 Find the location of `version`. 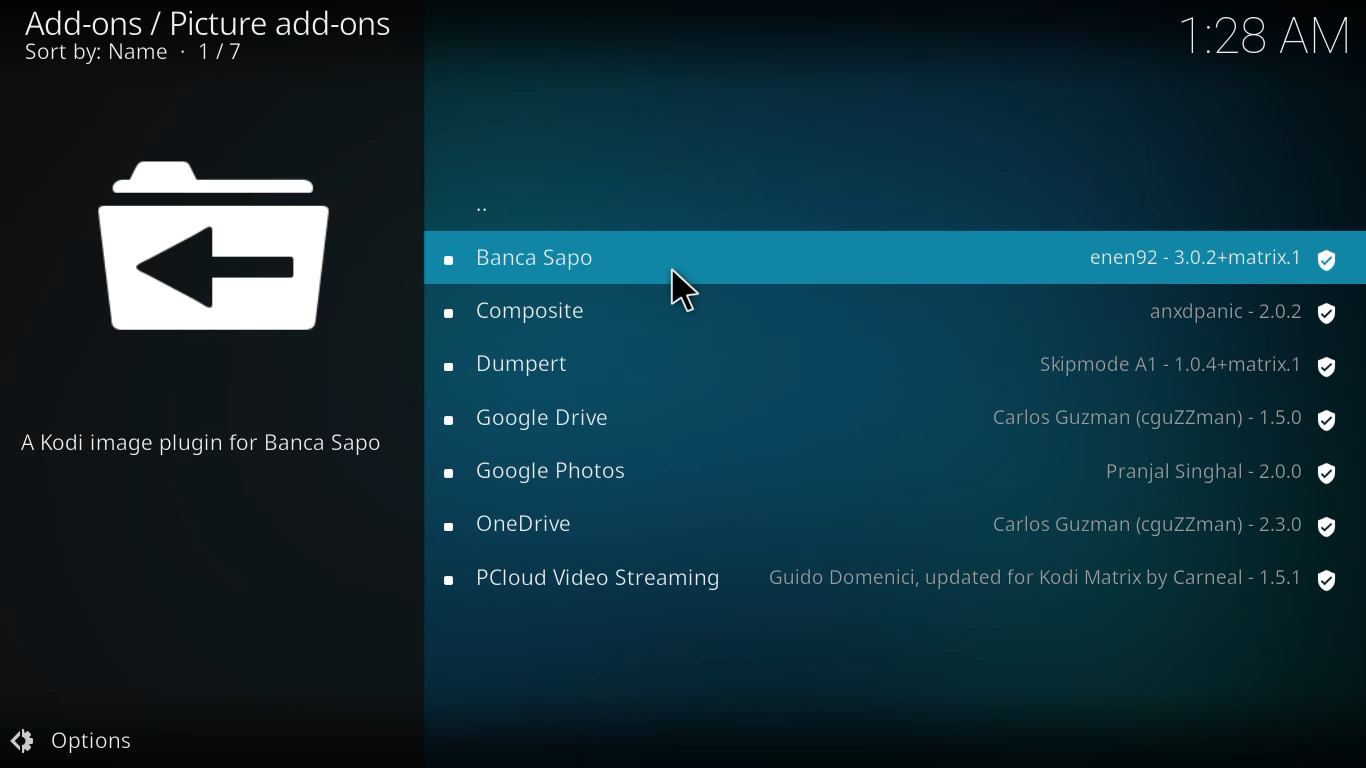

version is located at coordinates (1241, 315).